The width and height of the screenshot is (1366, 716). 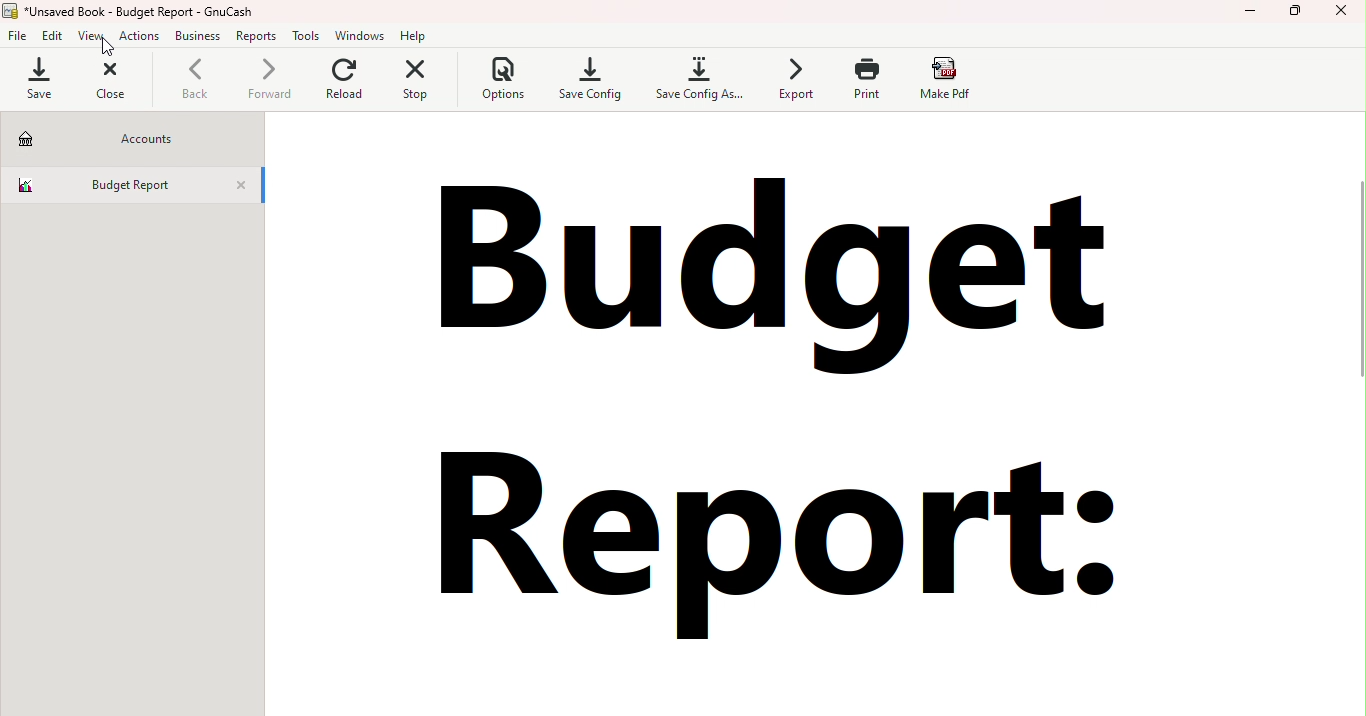 What do you see at coordinates (429, 86) in the screenshot?
I see `Stop` at bounding box center [429, 86].